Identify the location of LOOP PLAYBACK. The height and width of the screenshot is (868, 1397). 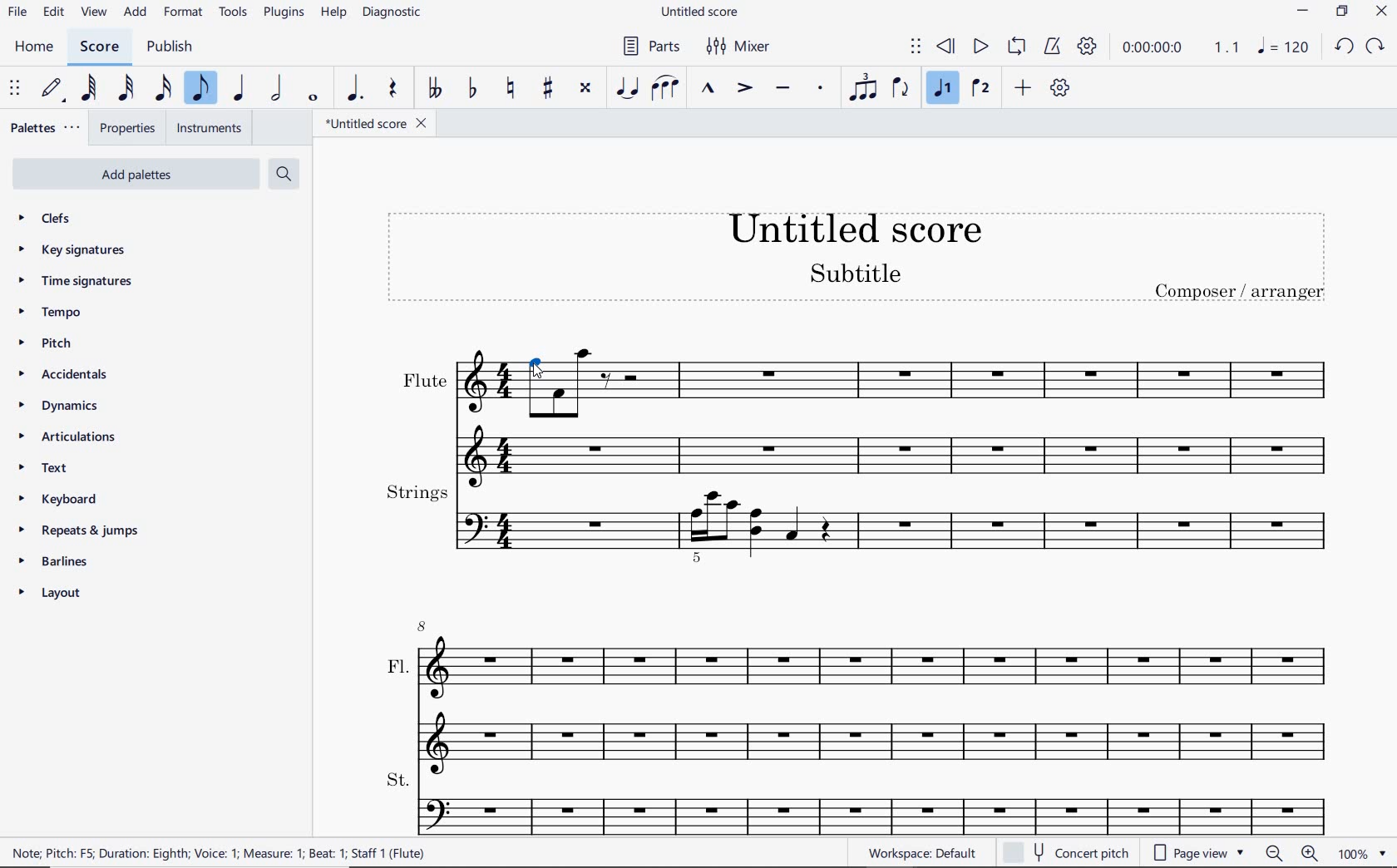
(1016, 47).